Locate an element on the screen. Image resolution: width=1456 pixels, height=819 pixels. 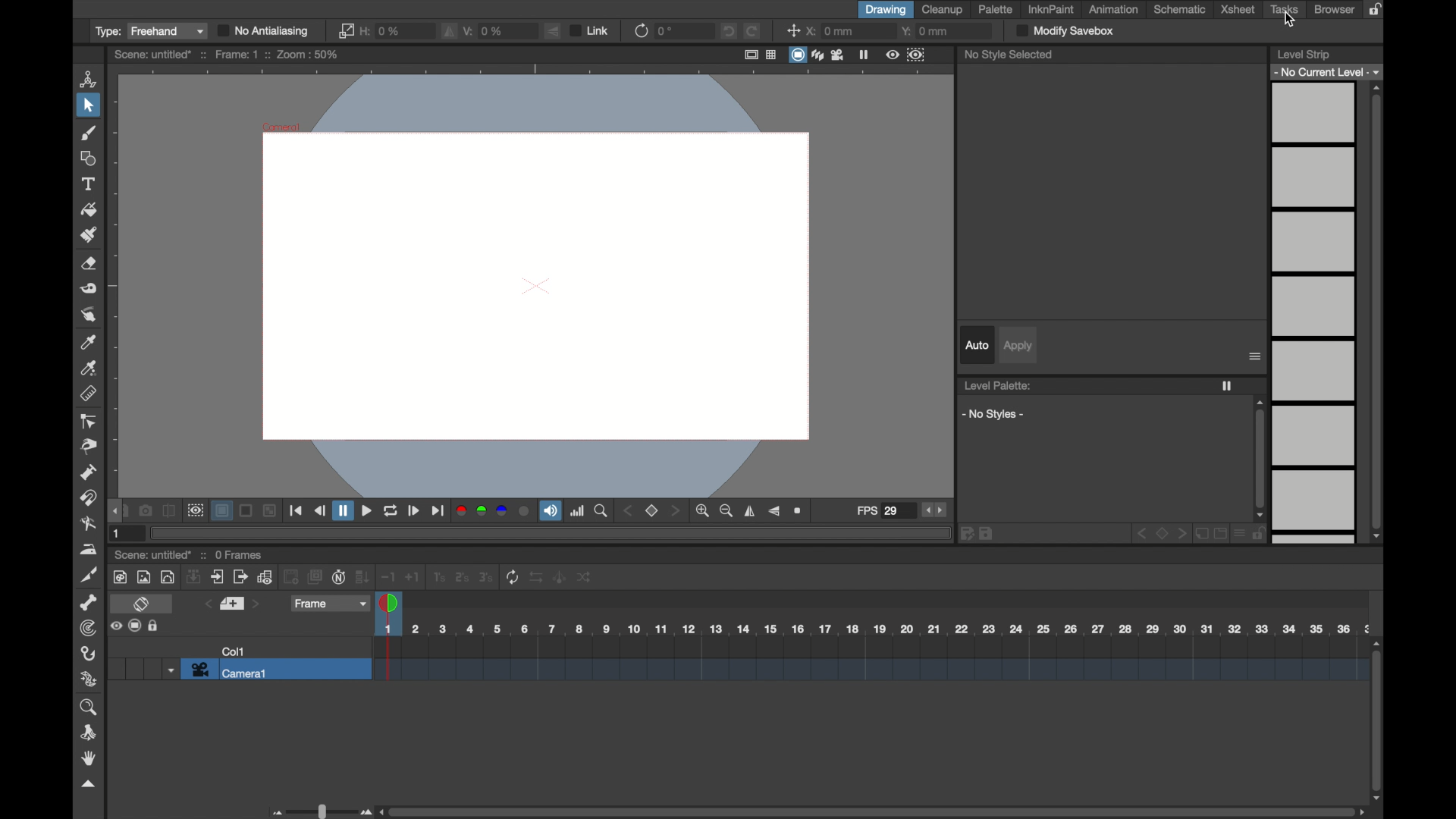
scene: untitled* :: 0 Frames is located at coordinates (190, 555).